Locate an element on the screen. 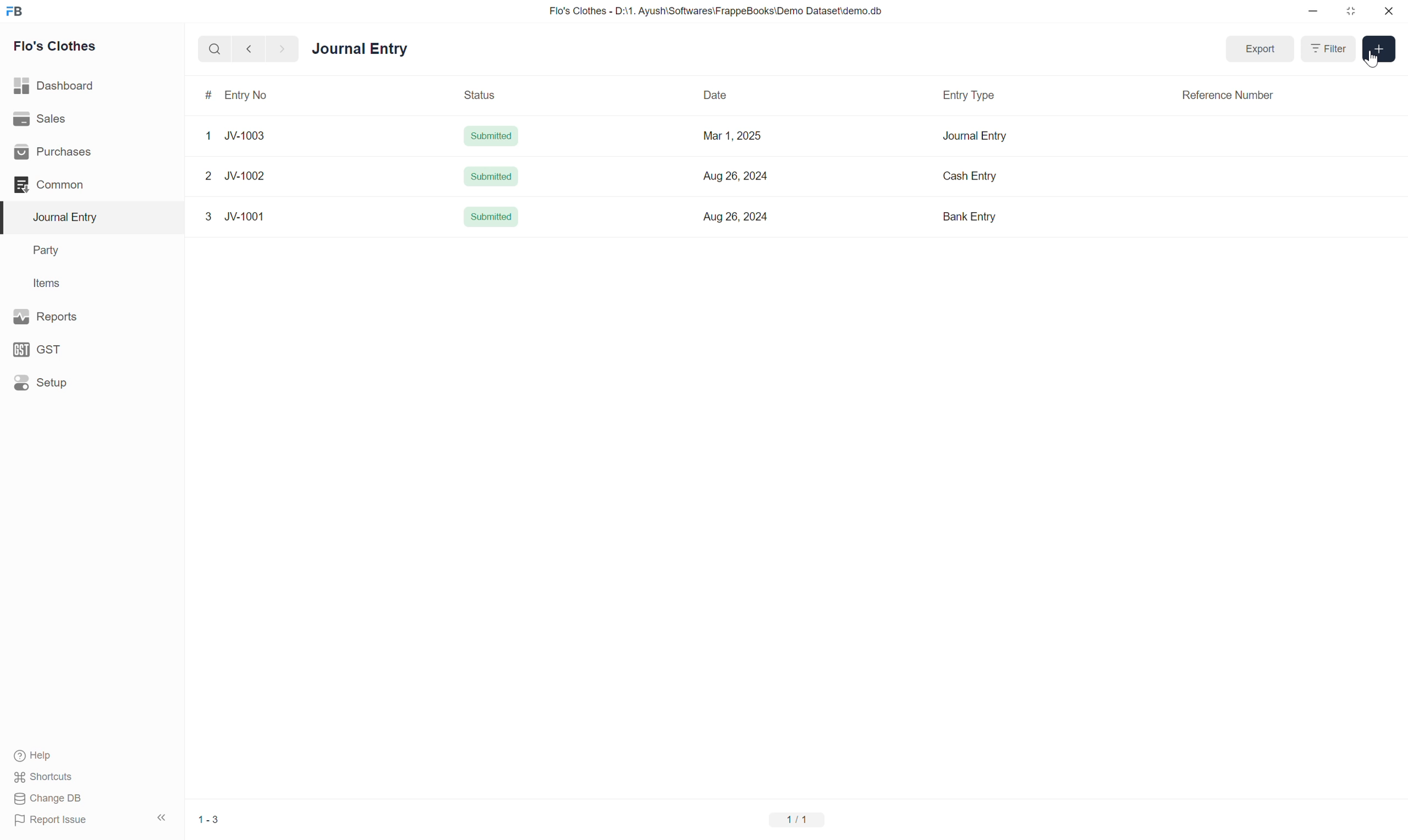 This screenshot has width=1408, height=840. 3 is located at coordinates (209, 217).